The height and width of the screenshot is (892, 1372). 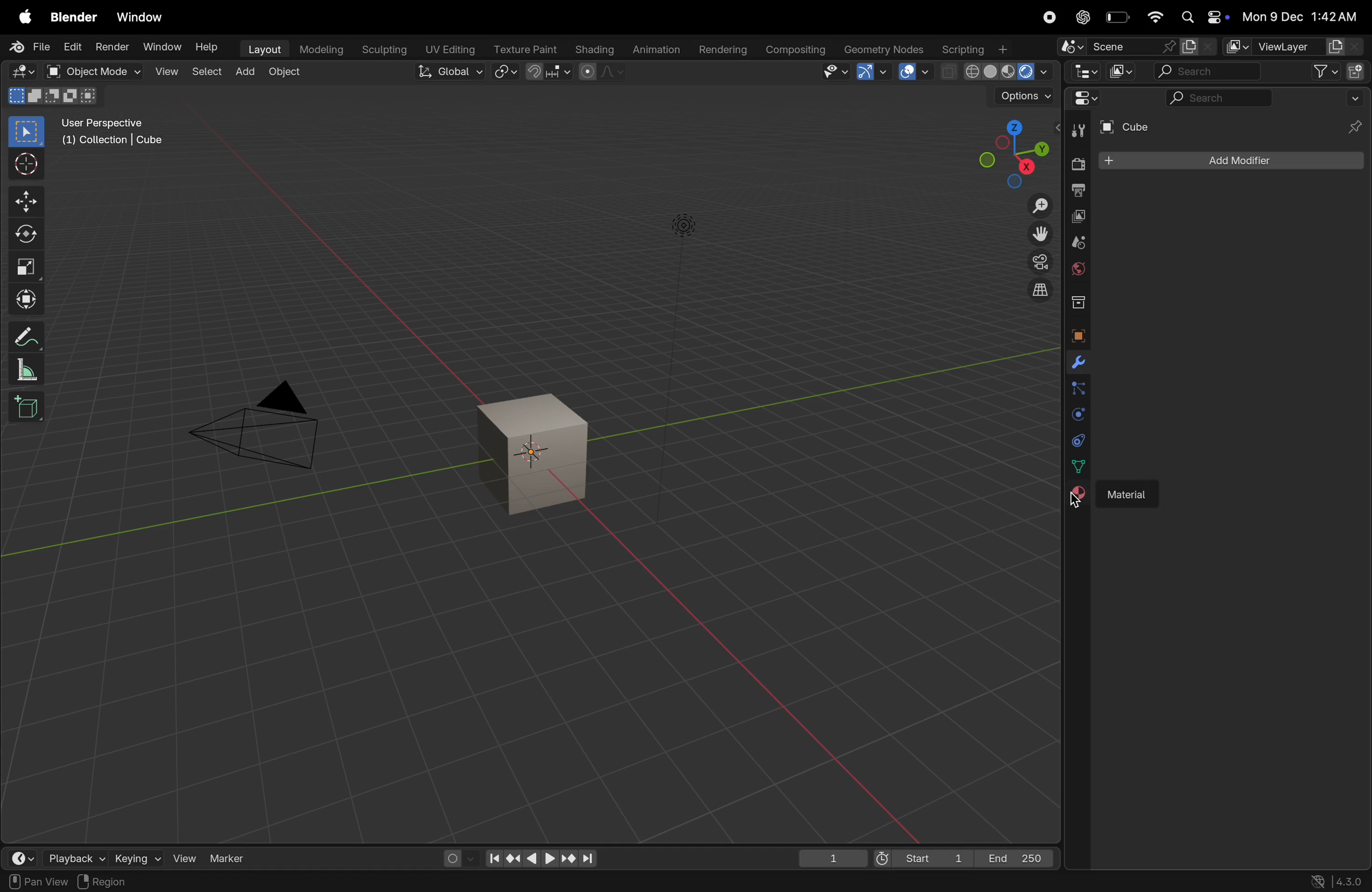 What do you see at coordinates (14, 856) in the screenshot?
I see `editor type` at bounding box center [14, 856].